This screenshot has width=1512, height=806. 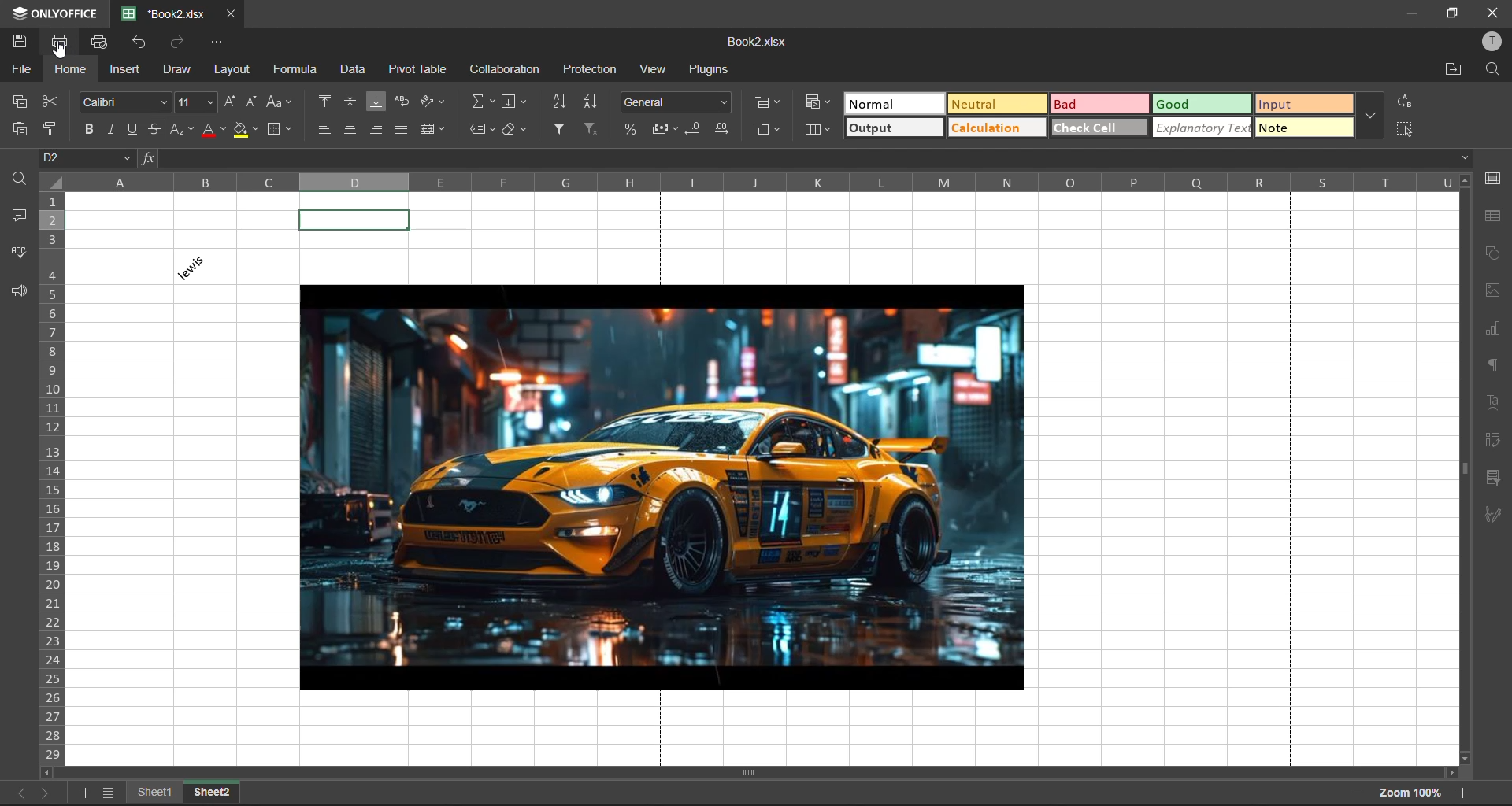 I want to click on font size, so click(x=197, y=102).